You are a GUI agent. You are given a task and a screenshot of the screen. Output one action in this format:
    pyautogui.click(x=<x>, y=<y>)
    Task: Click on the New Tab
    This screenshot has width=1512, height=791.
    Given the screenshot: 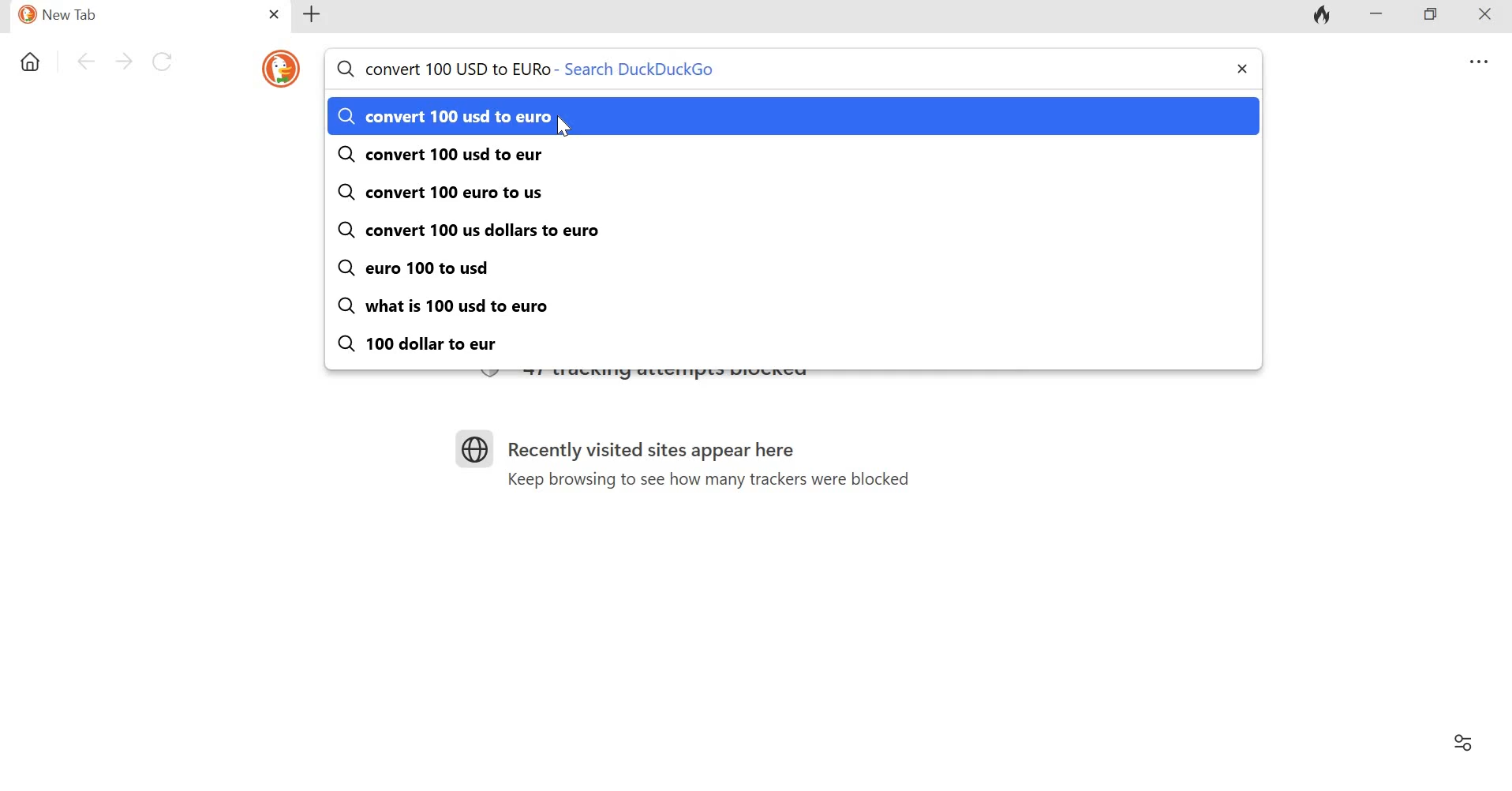 What is the action you would take?
    pyautogui.click(x=117, y=17)
    